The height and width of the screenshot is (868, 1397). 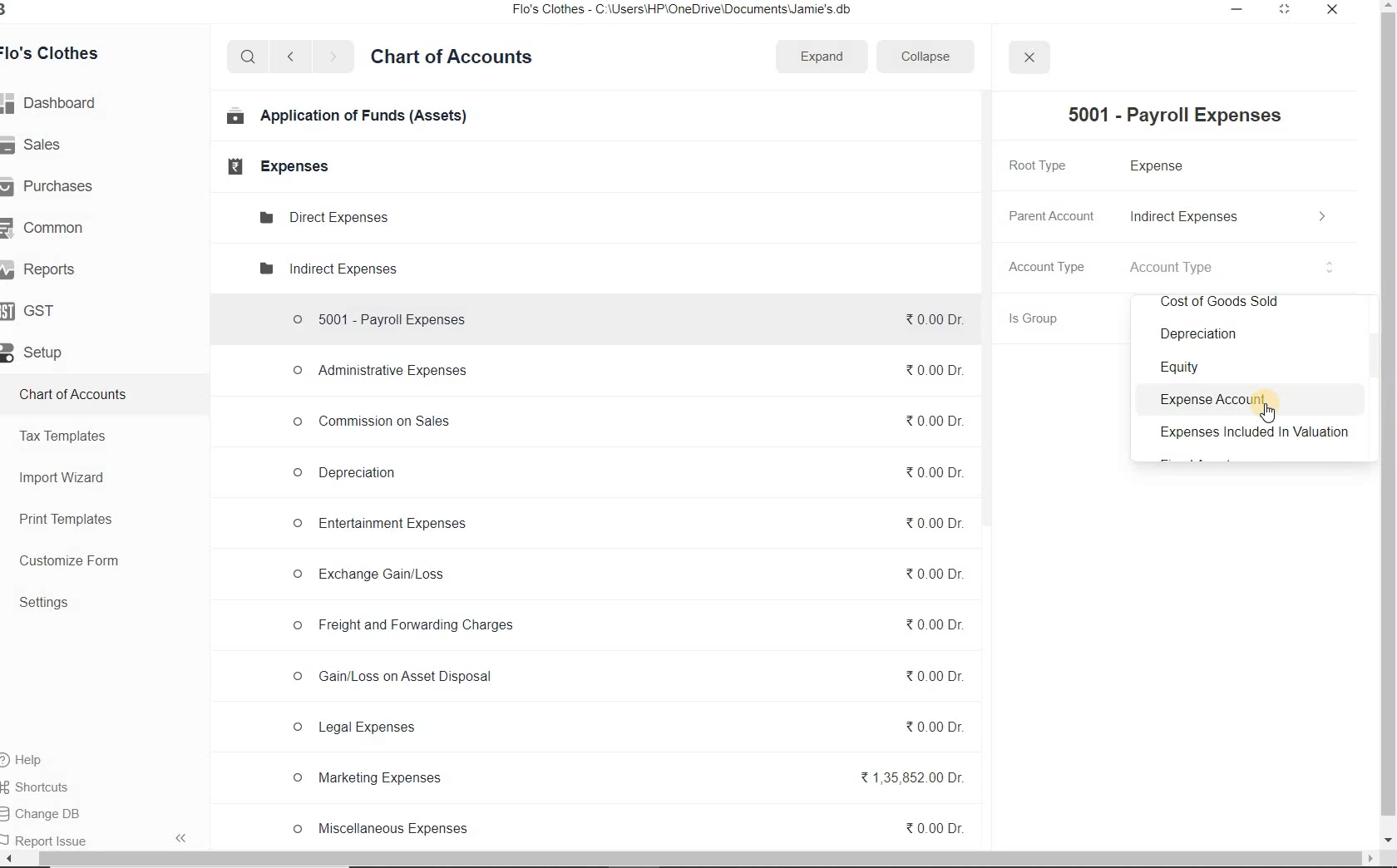 I want to click on Expense, so click(x=1160, y=167).